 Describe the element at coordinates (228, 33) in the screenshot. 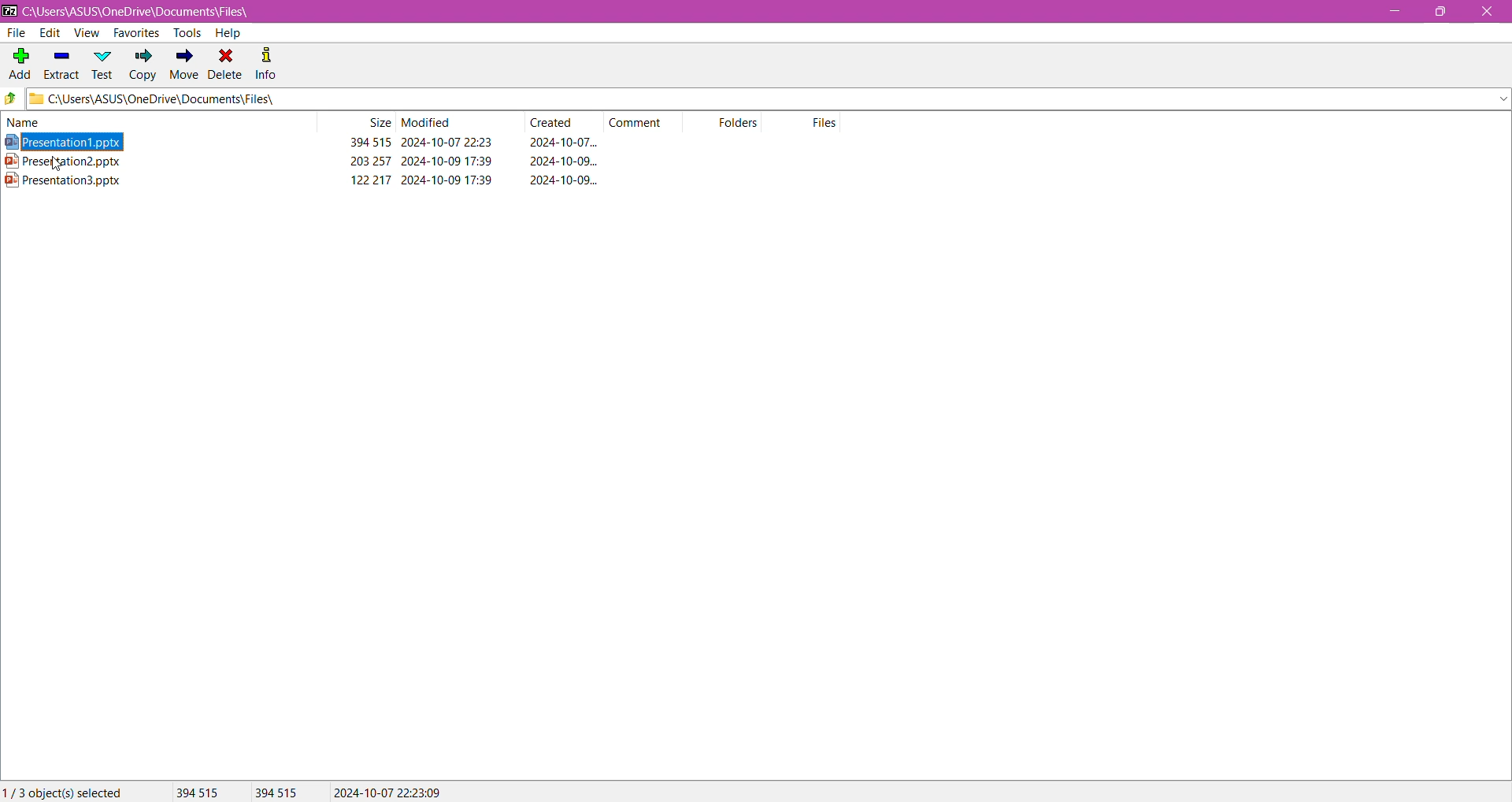

I see `Help` at that location.